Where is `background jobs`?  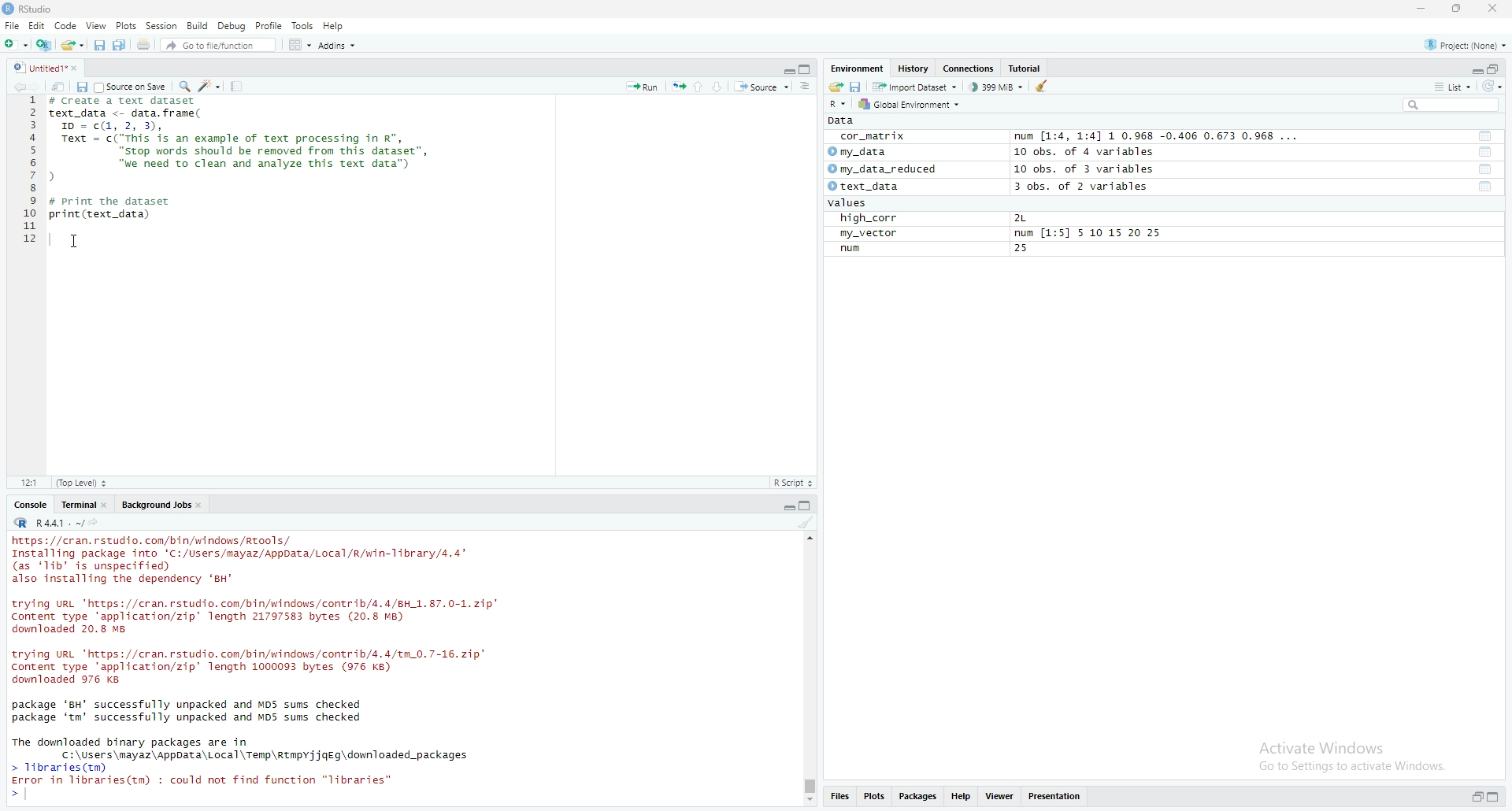
background jobs is located at coordinates (162, 506).